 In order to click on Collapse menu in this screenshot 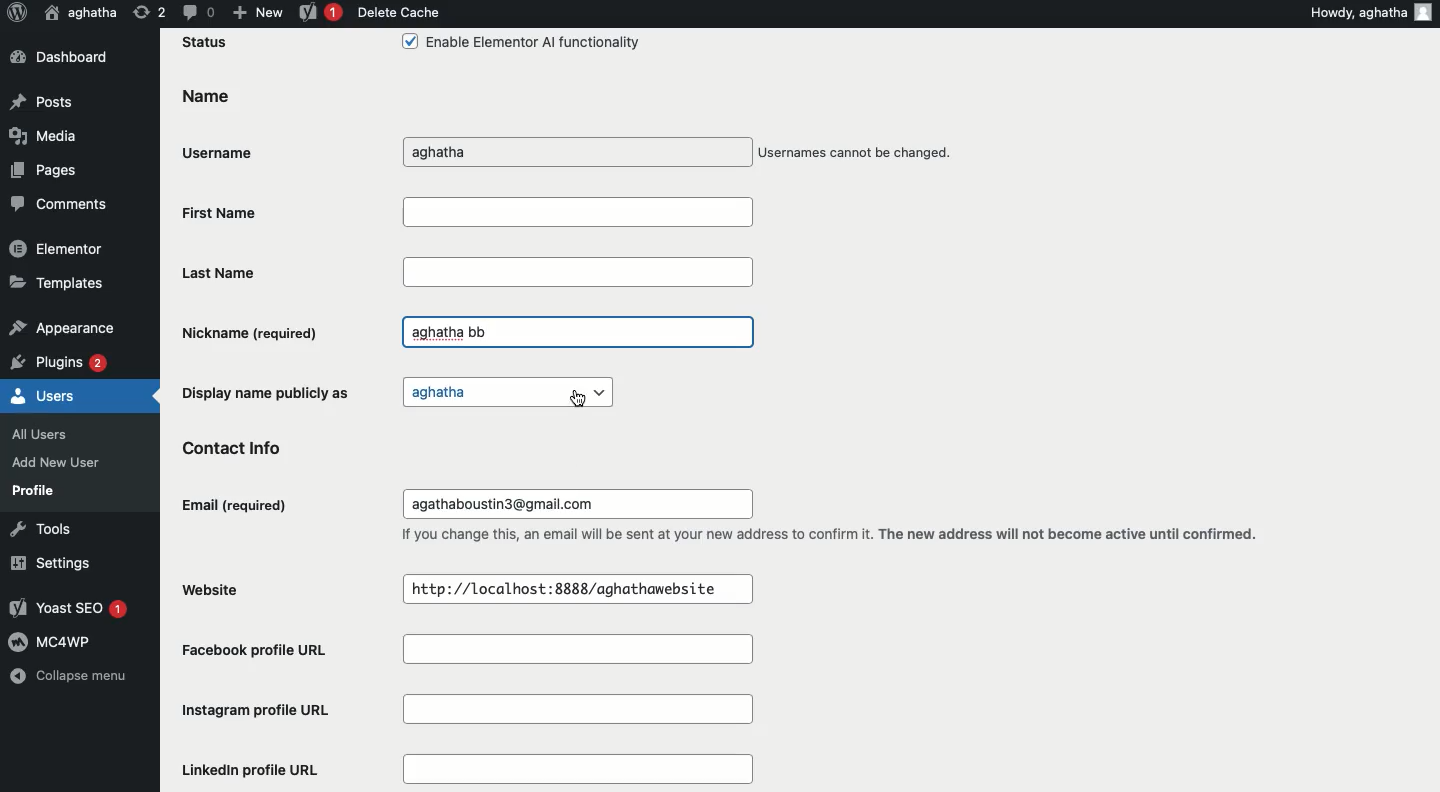, I will do `click(68, 678)`.